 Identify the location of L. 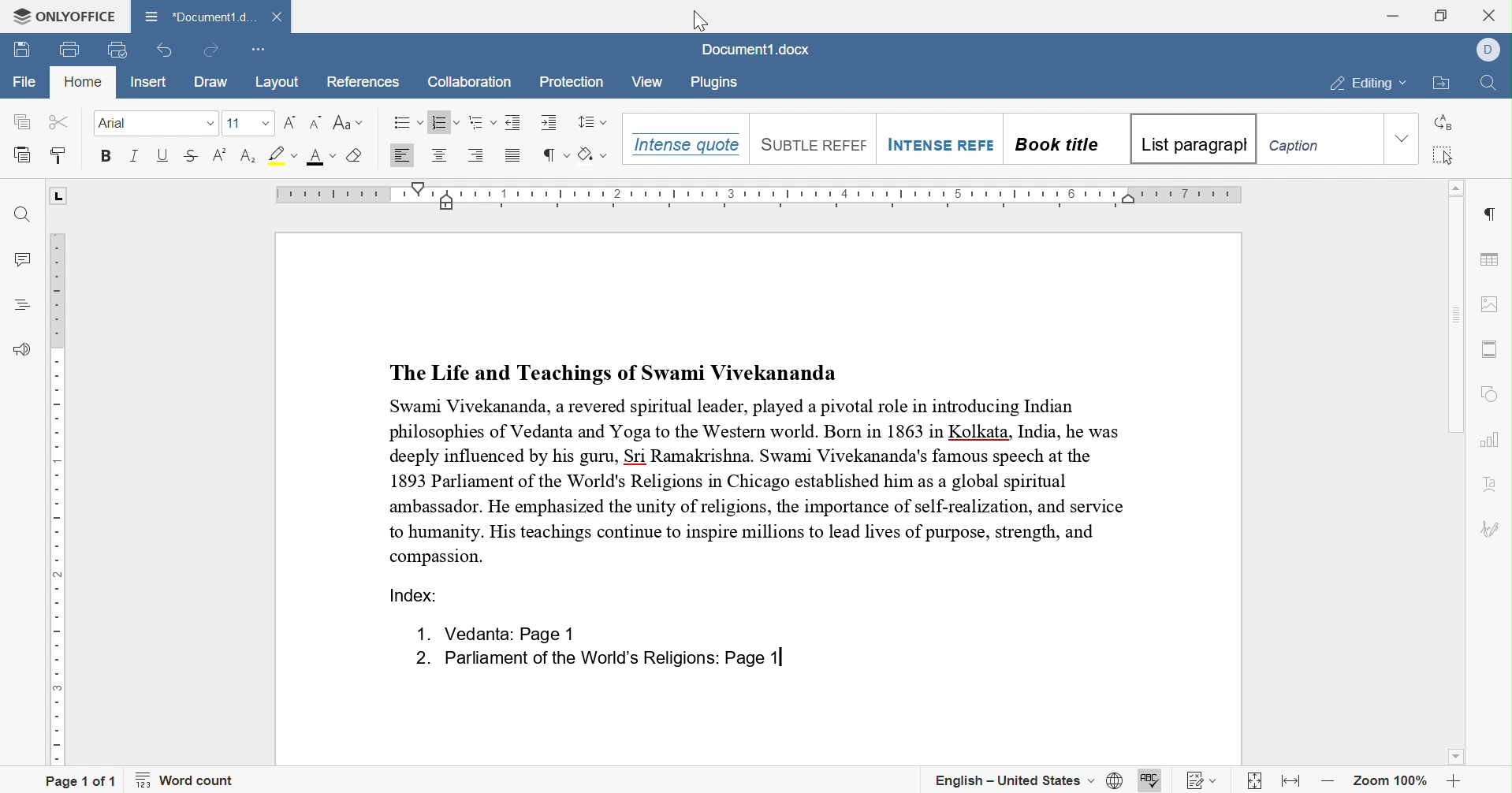
(61, 197).